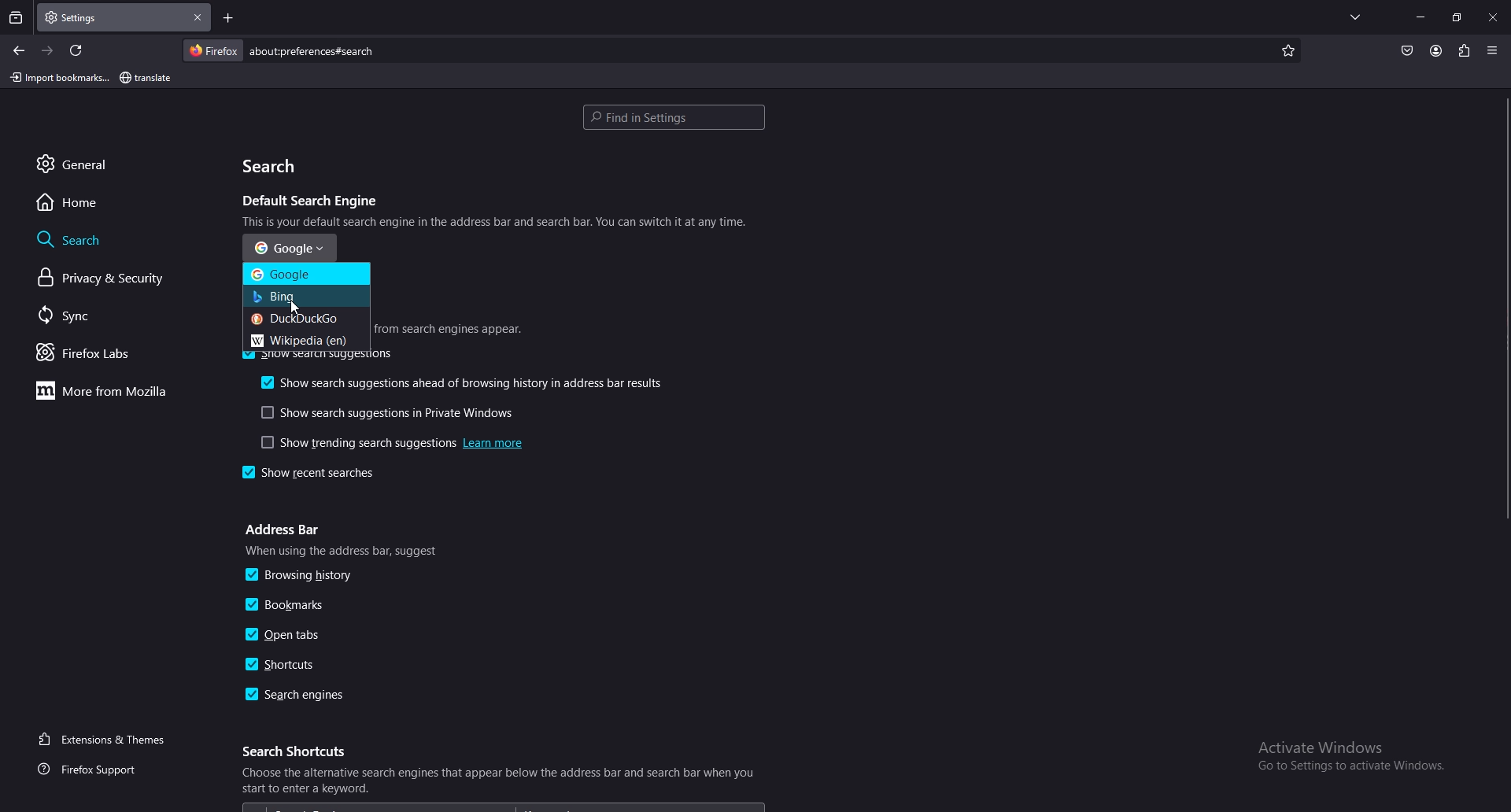 This screenshot has height=812, width=1511. I want to click on search engines, so click(298, 696).